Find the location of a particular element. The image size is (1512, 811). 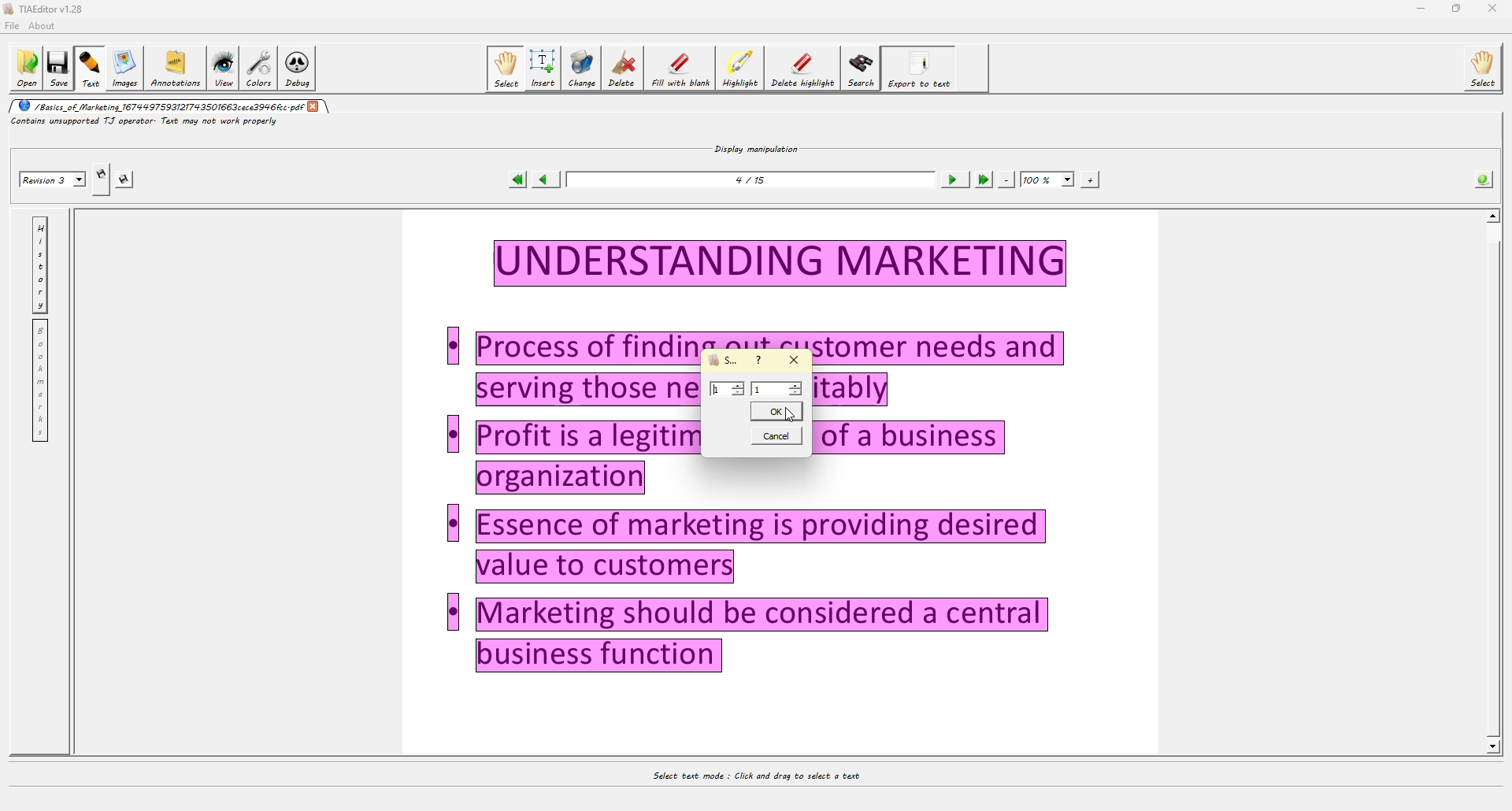

previous page is located at coordinates (546, 180).